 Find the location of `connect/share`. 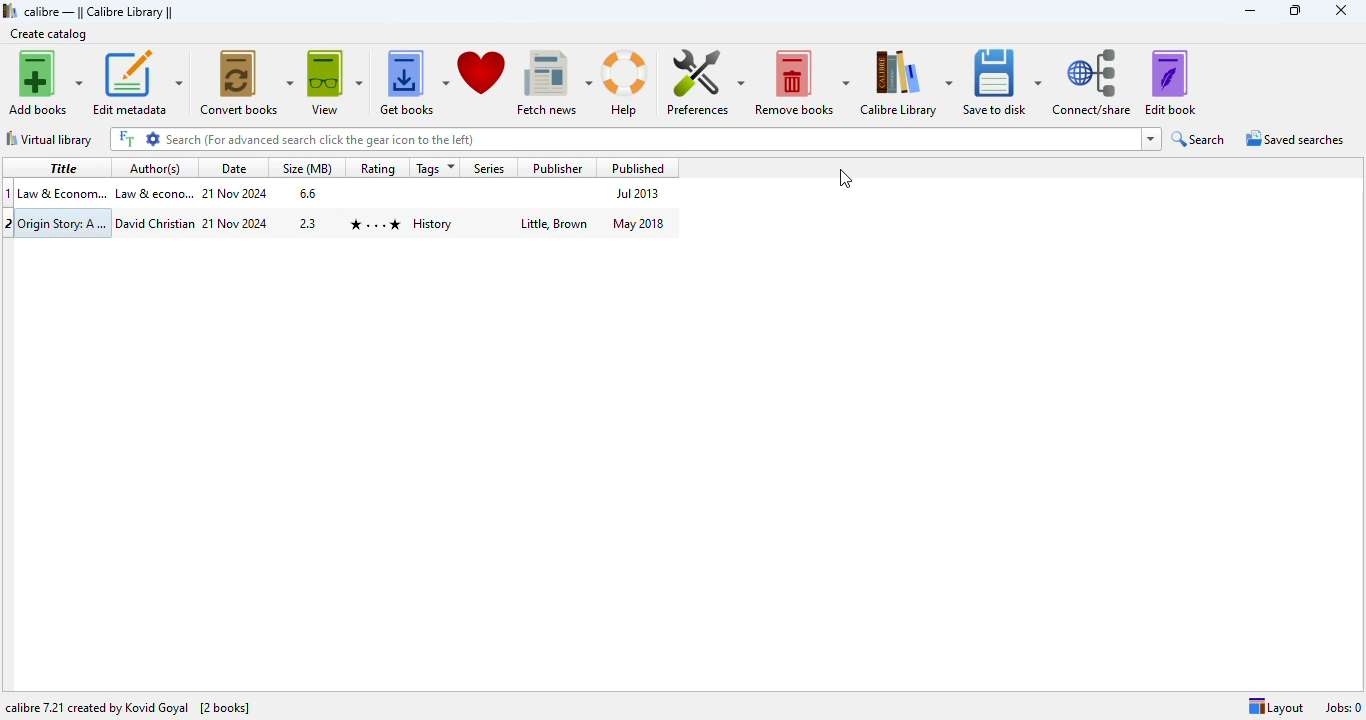

connect/share is located at coordinates (1095, 83).